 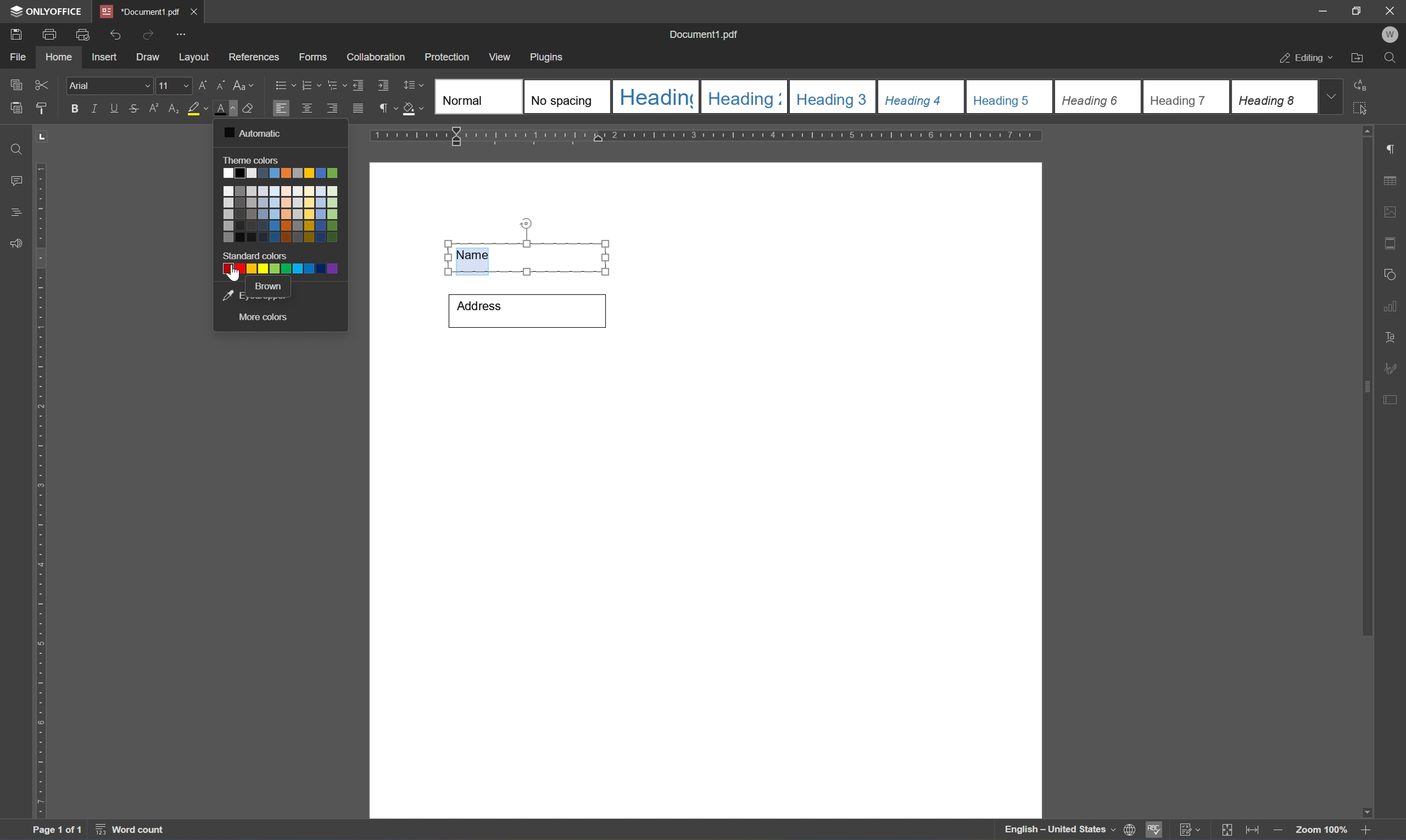 I want to click on collaboration, so click(x=377, y=59).